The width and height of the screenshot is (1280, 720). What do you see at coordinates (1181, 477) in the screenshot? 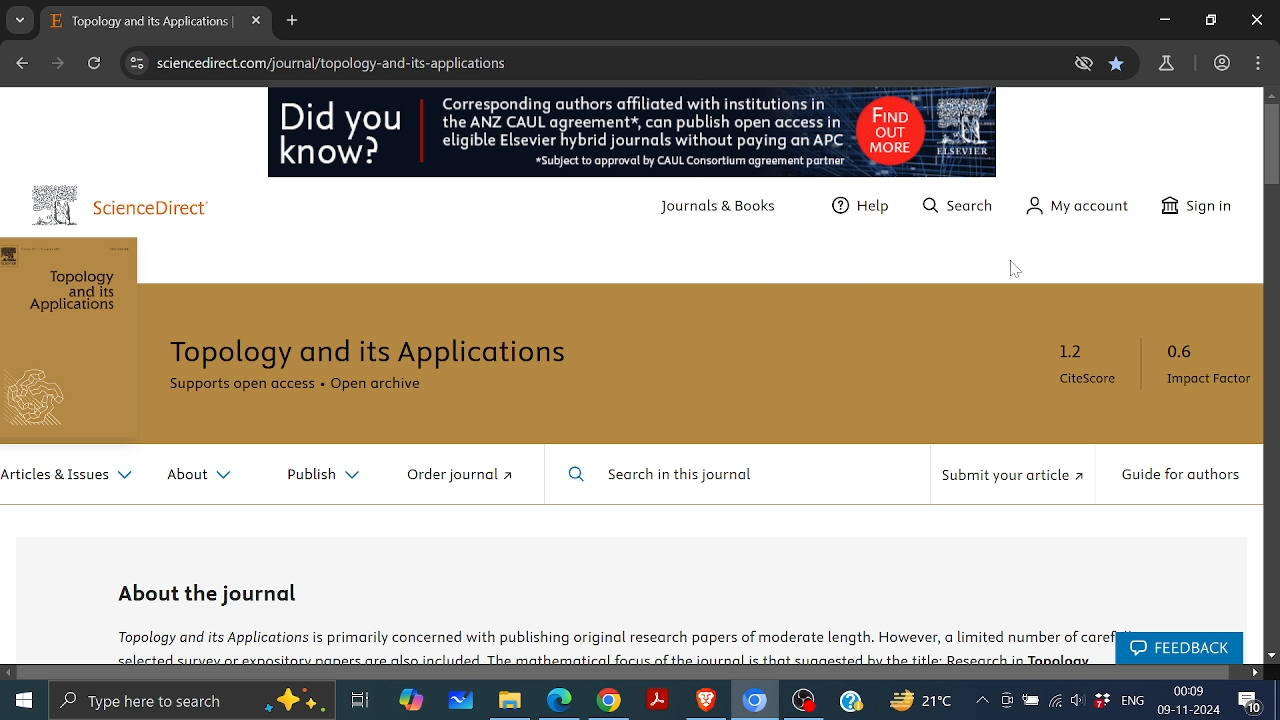
I see `guide for authors` at bounding box center [1181, 477].